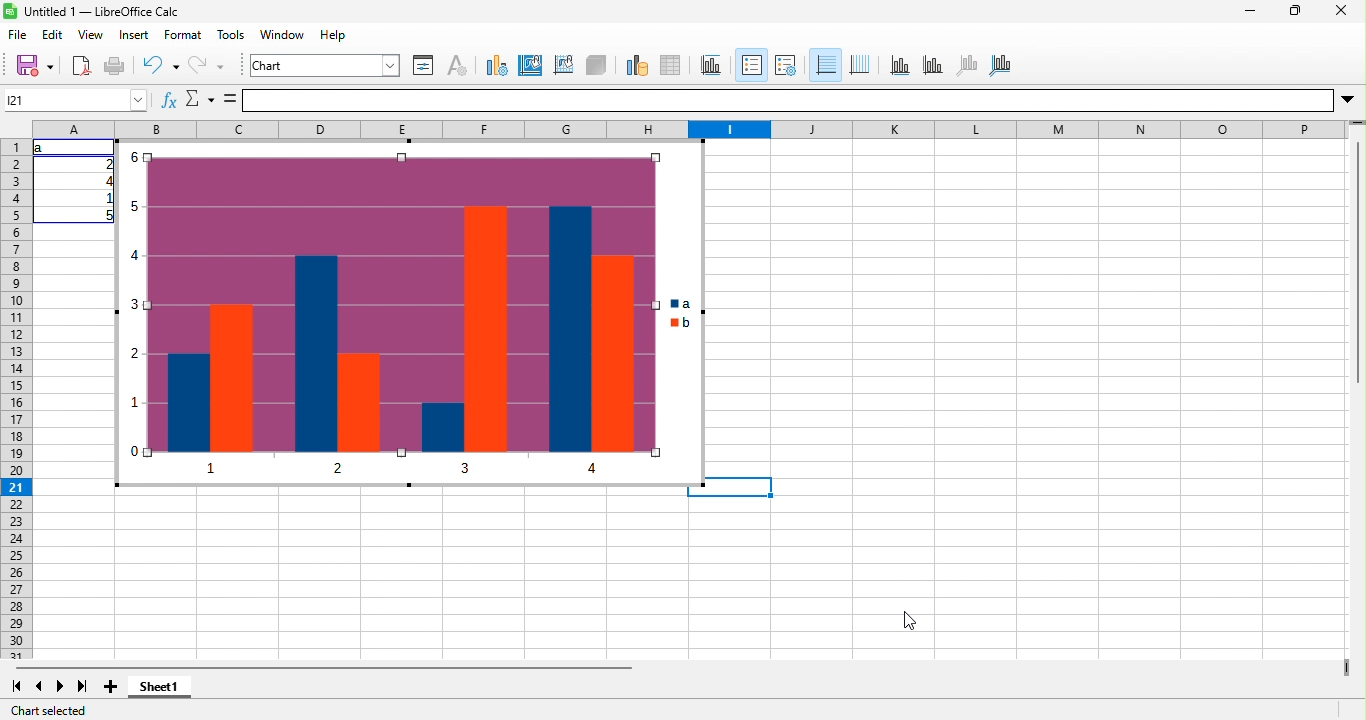  I want to click on Vertical slide bar, so click(1358, 253).